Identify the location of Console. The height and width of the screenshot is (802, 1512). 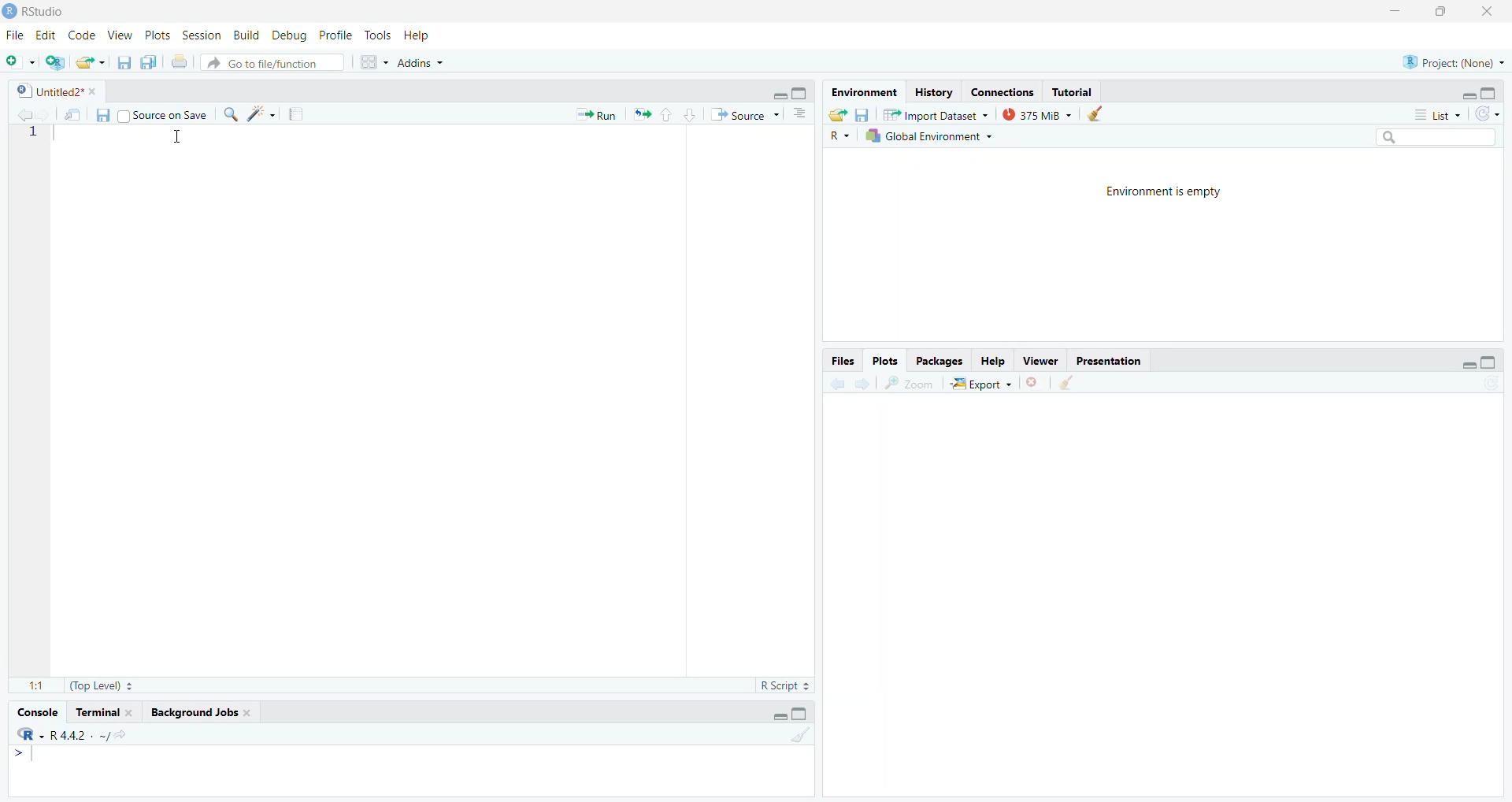
(36, 713).